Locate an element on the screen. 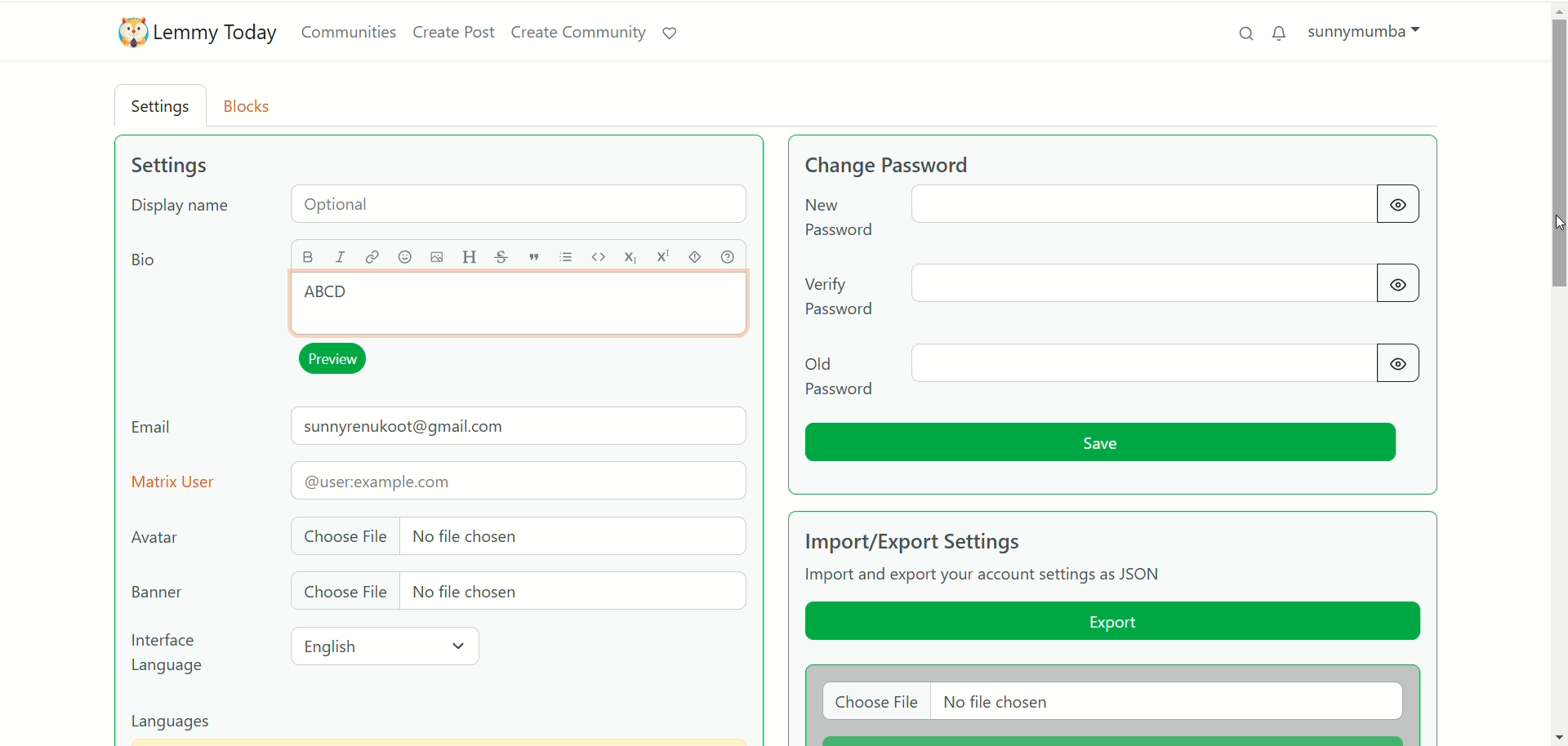 The width and height of the screenshot is (1568, 746). logo is located at coordinates (128, 33).